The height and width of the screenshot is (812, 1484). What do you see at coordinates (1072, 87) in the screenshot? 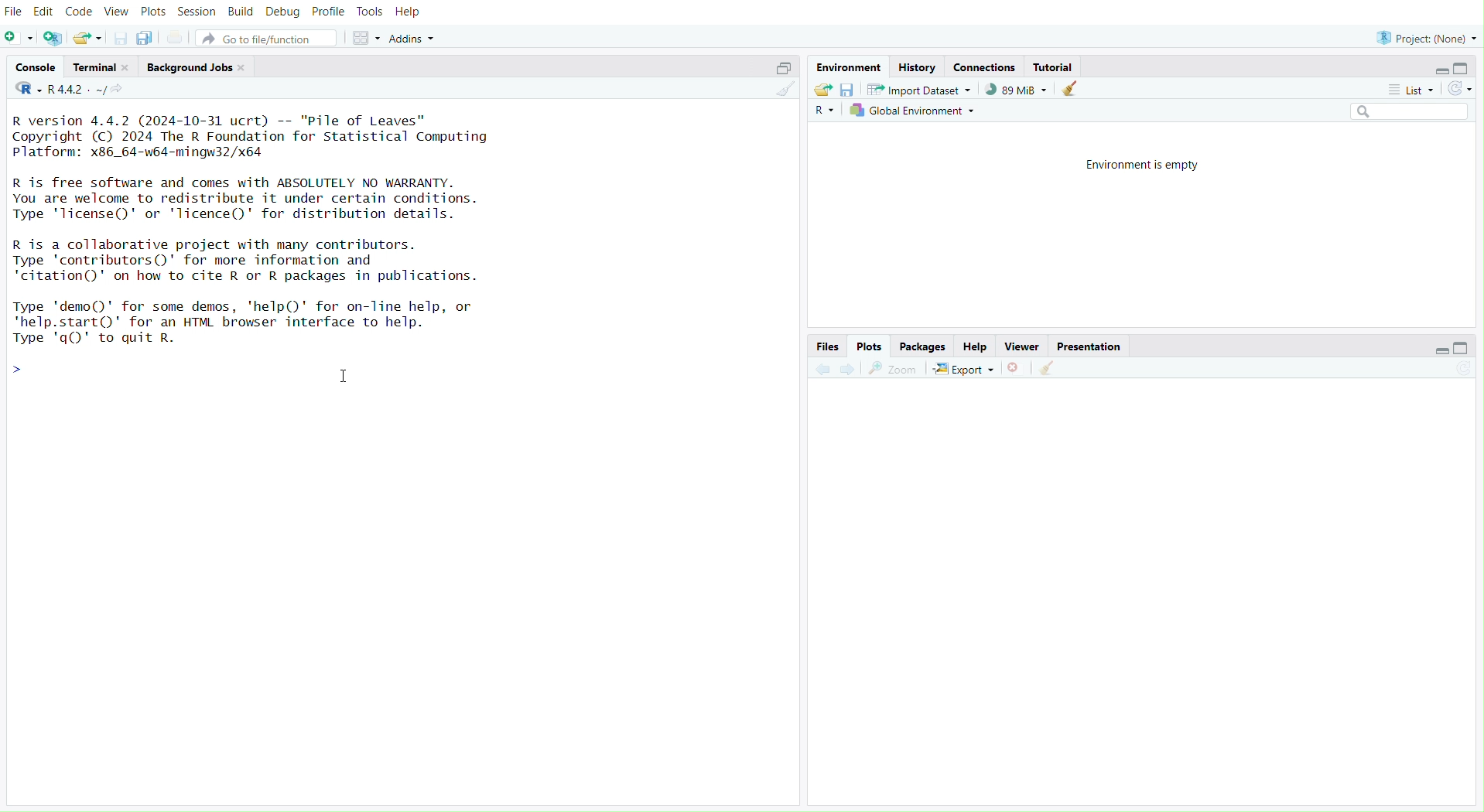
I see `Clear console (Ctrl + L)` at bounding box center [1072, 87].